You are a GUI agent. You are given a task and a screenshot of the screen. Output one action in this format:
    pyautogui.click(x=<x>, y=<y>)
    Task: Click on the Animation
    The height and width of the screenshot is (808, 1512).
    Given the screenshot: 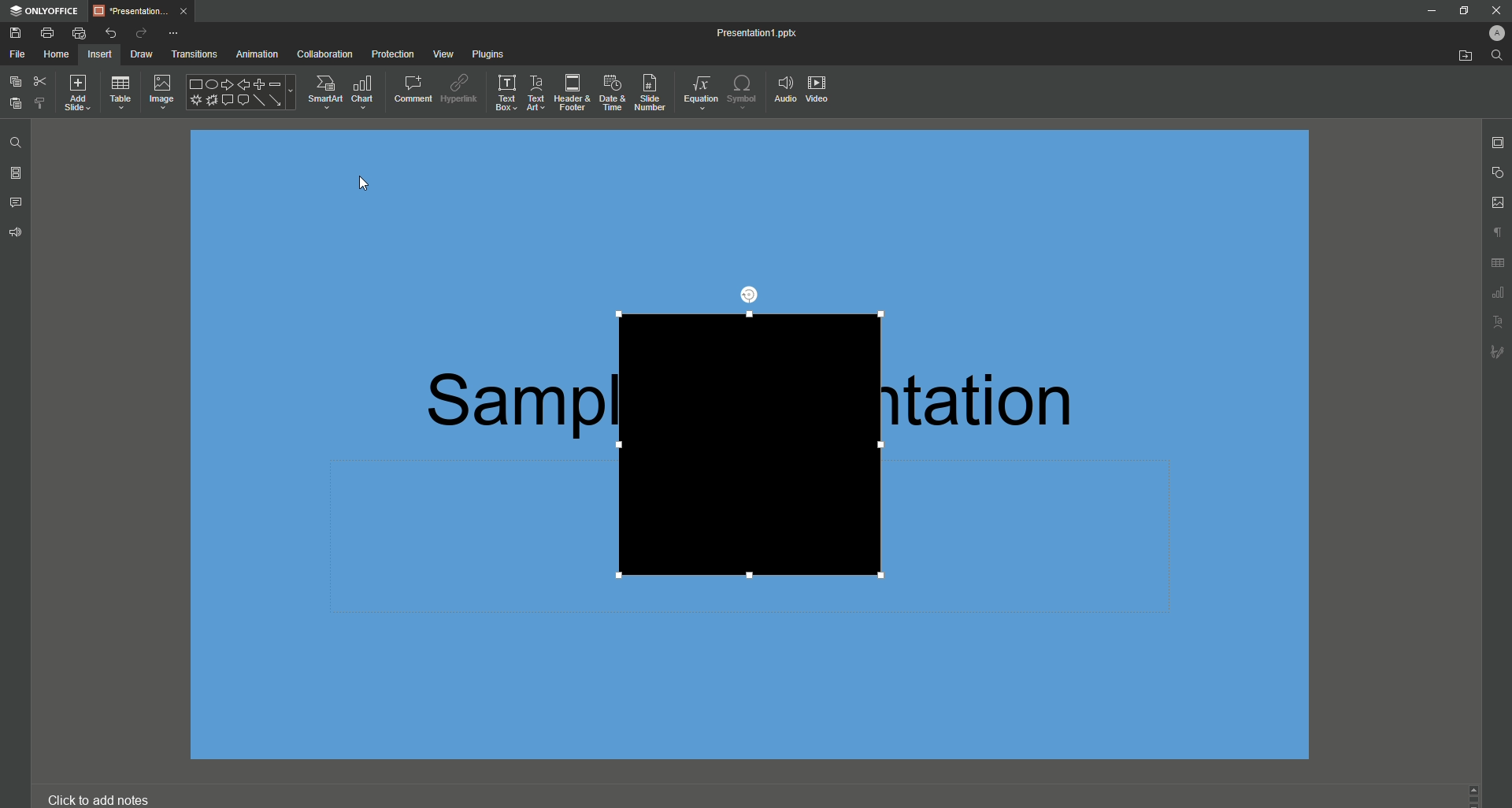 What is the action you would take?
    pyautogui.click(x=254, y=54)
    